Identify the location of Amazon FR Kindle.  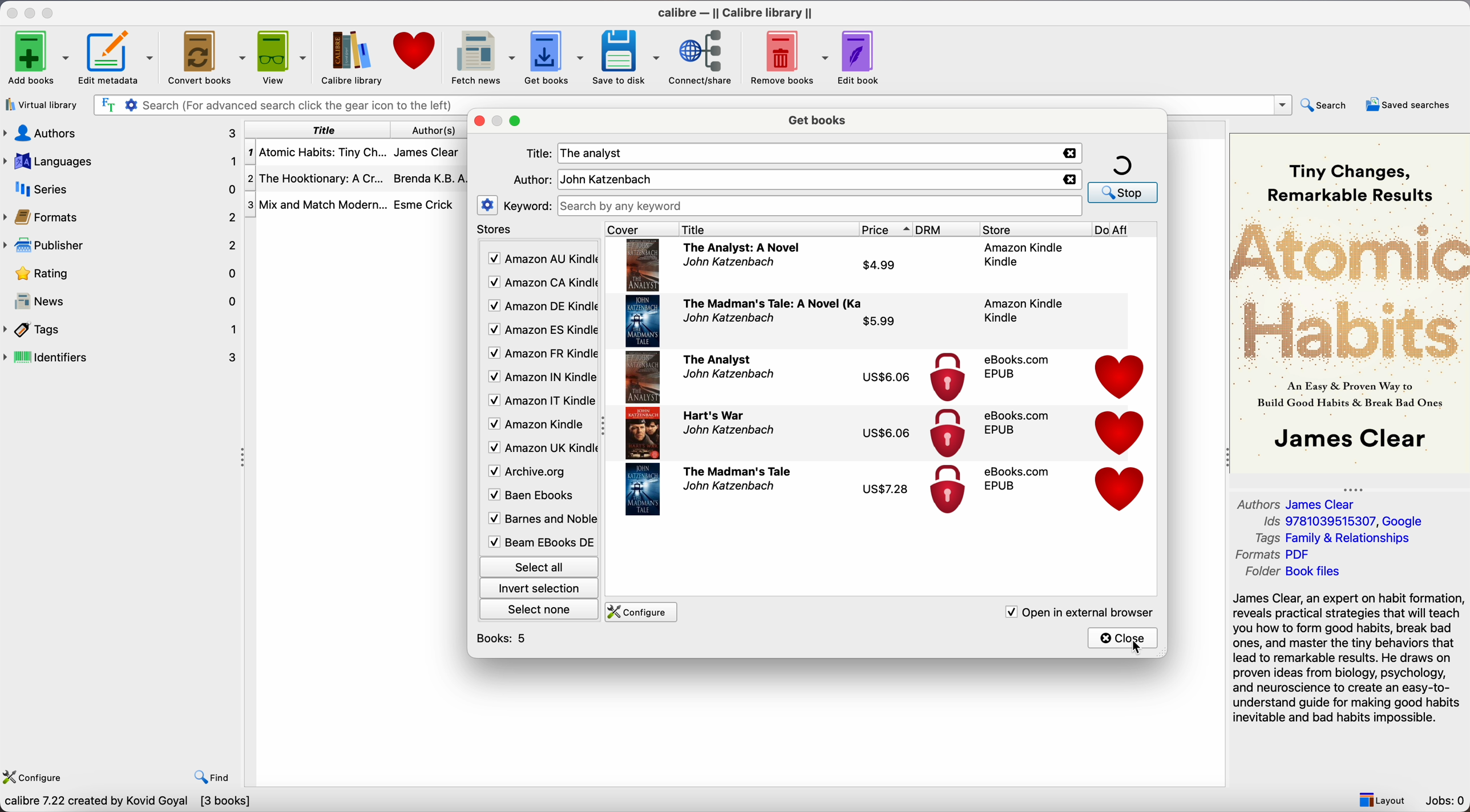
(540, 355).